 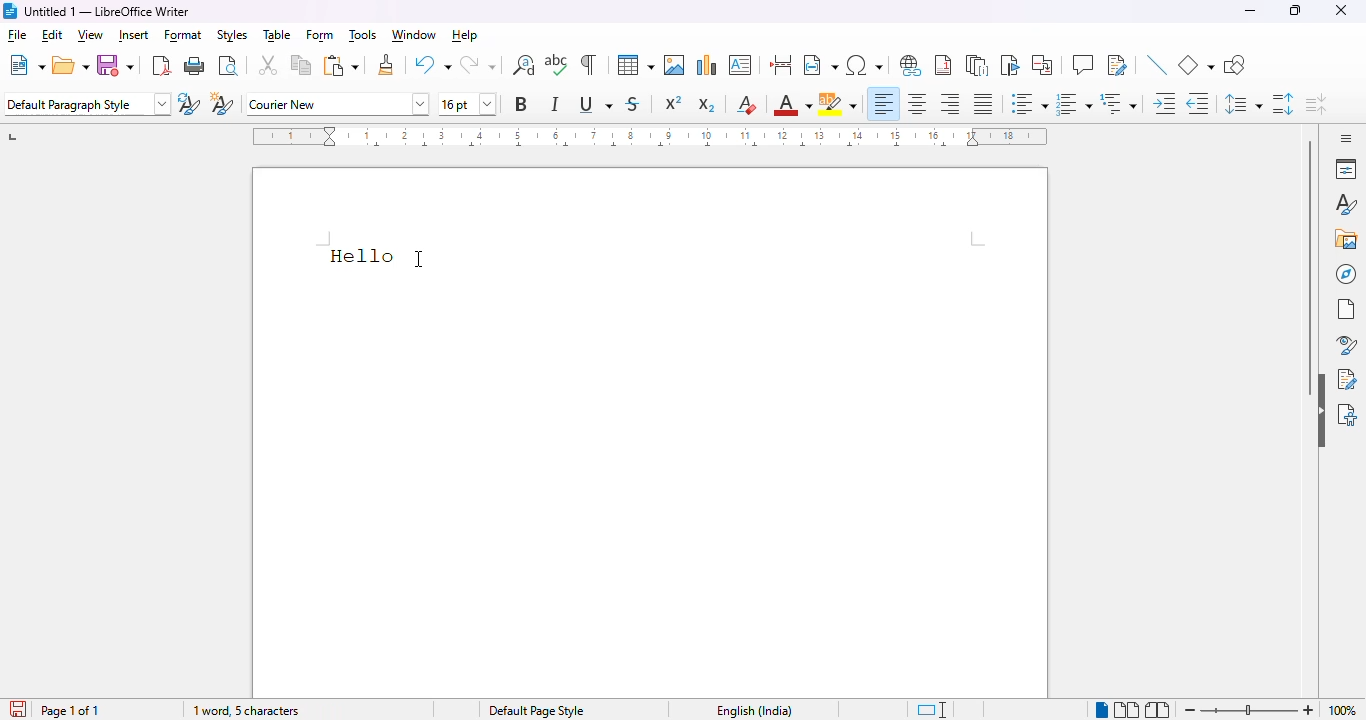 I want to click on align right, so click(x=951, y=104).